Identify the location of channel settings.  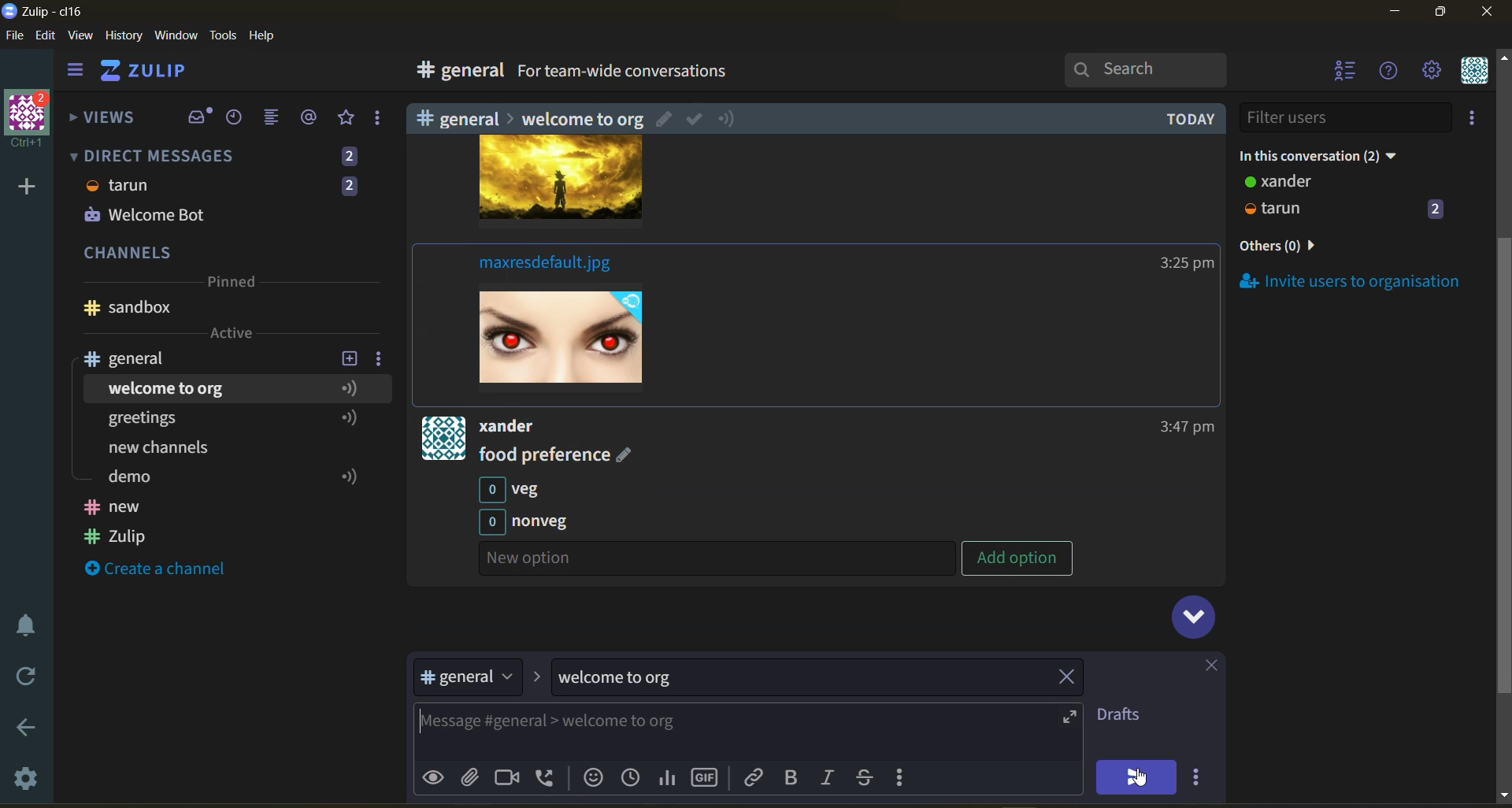
(382, 358).